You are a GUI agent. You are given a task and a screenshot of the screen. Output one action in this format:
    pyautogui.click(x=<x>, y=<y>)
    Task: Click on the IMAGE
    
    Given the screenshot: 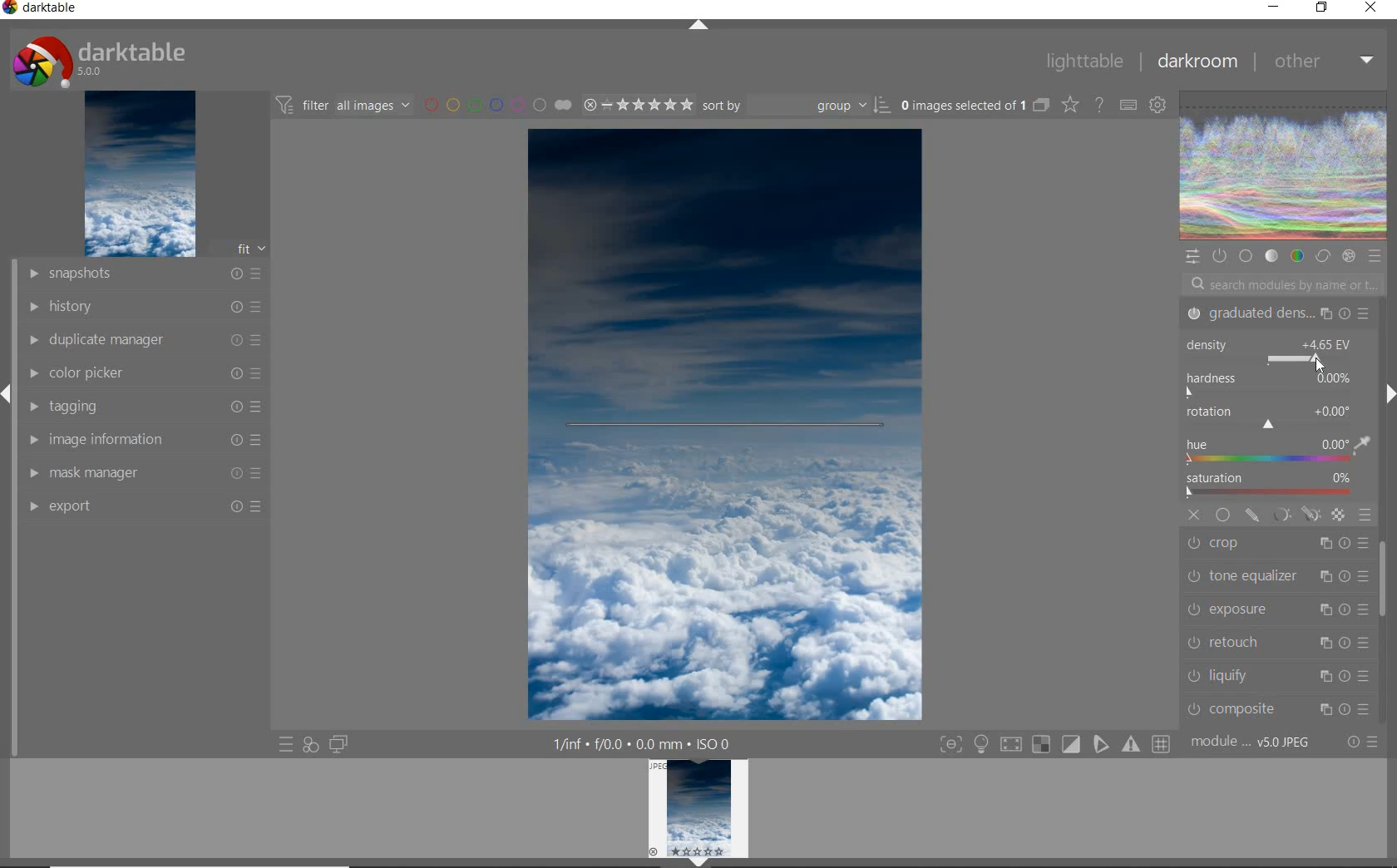 What is the action you would take?
    pyautogui.click(x=138, y=175)
    